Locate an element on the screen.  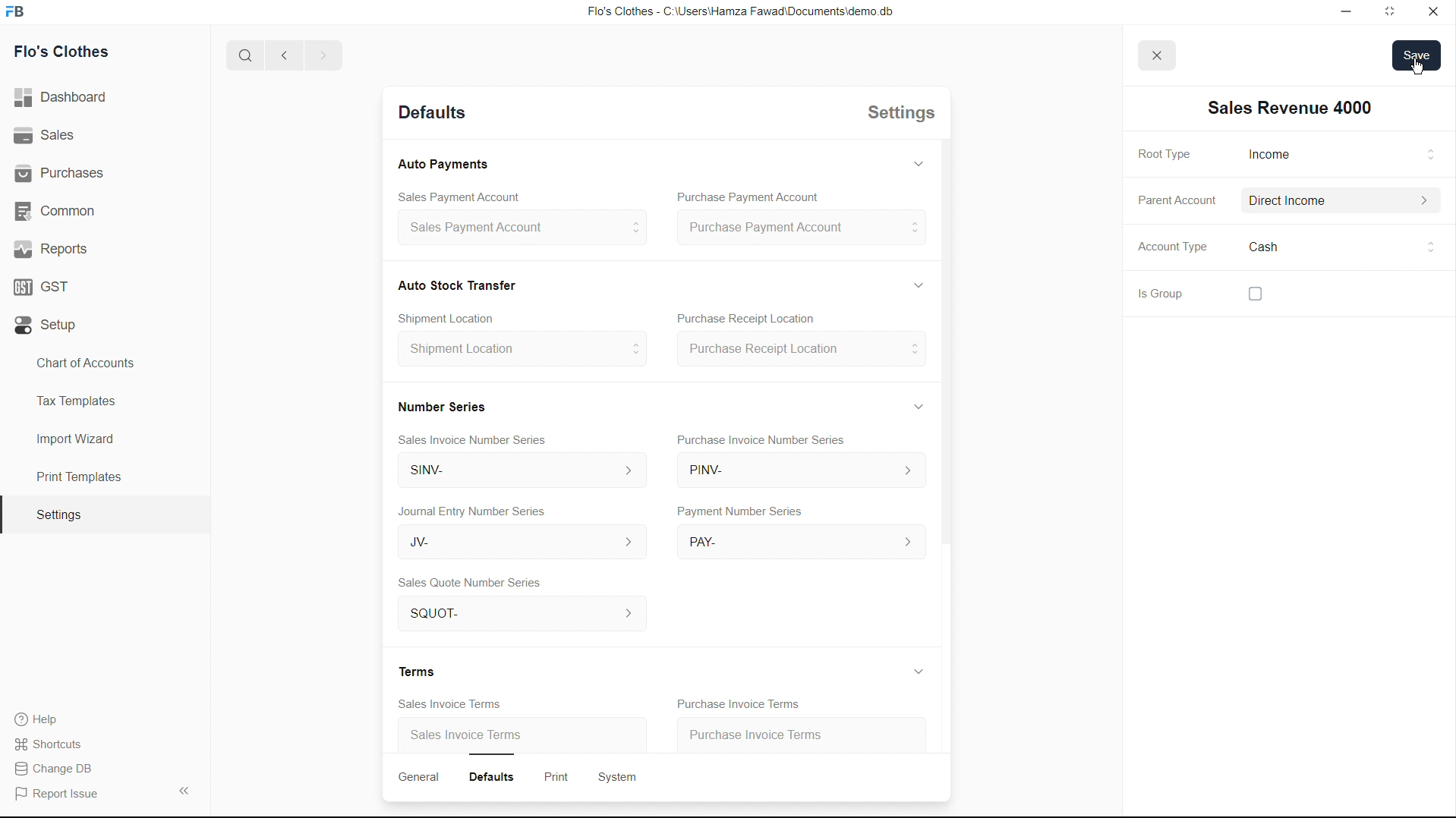
| Purchases is located at coordinates (66, 171).